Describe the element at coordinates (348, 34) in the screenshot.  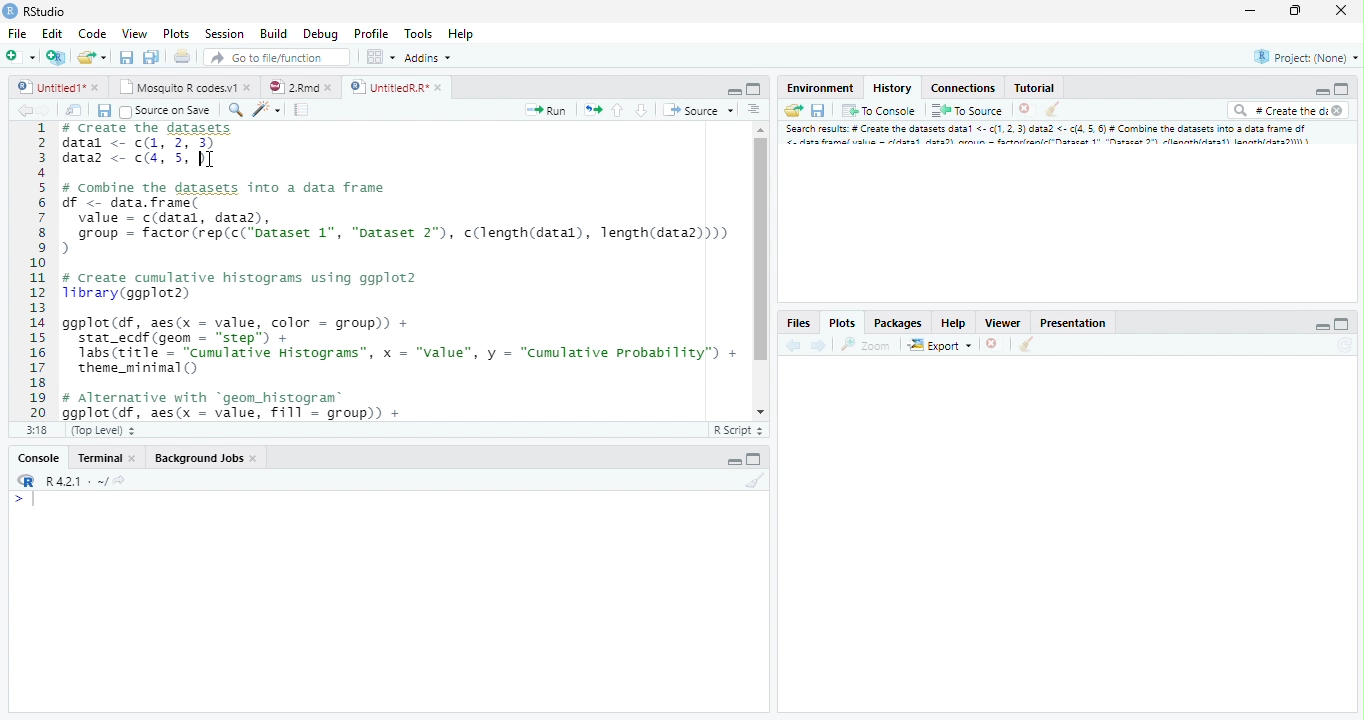
I see `Debug` at that location.